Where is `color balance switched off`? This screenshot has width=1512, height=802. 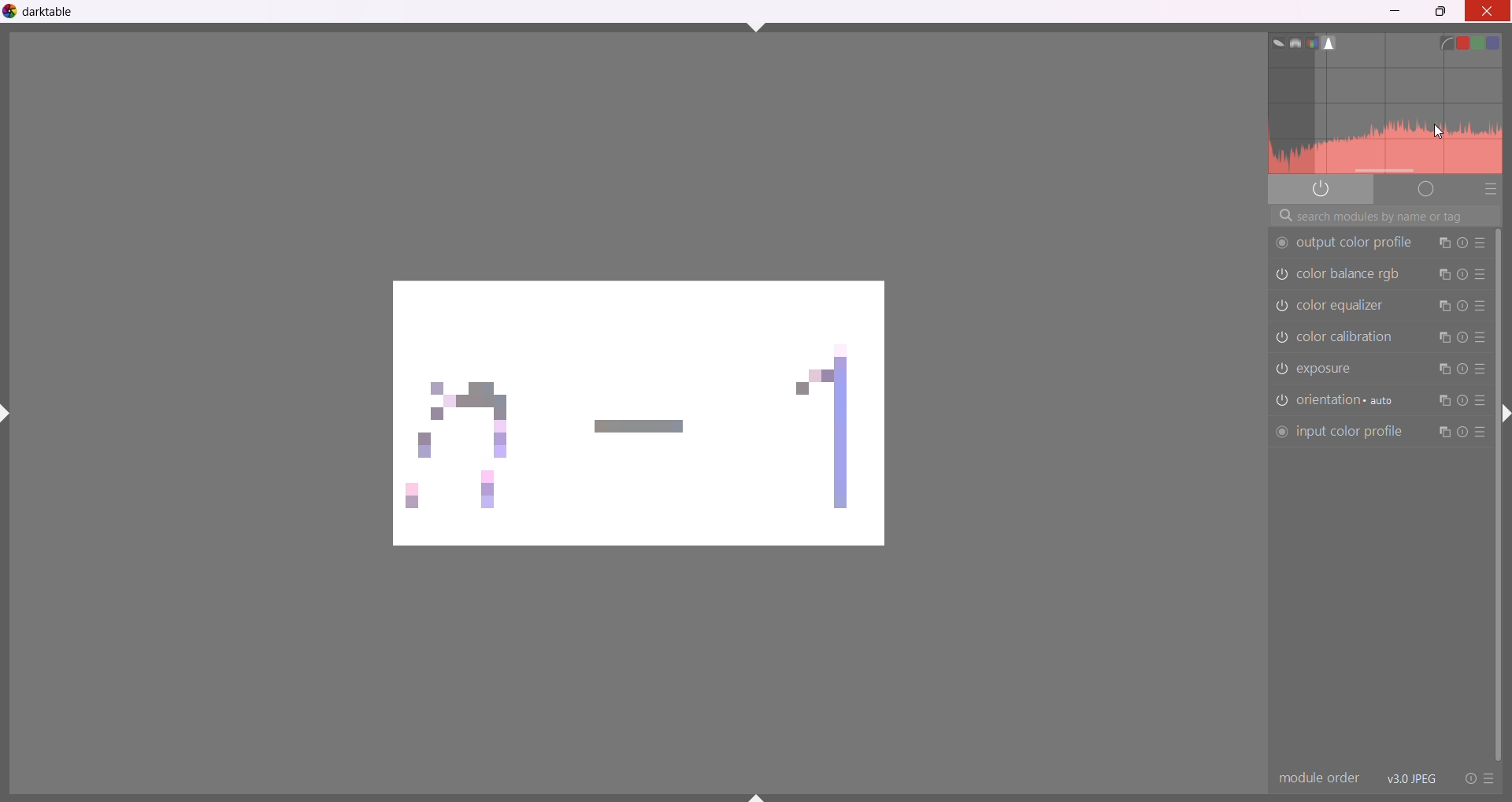 color balance switched off is located at coordinates (1280, 338).